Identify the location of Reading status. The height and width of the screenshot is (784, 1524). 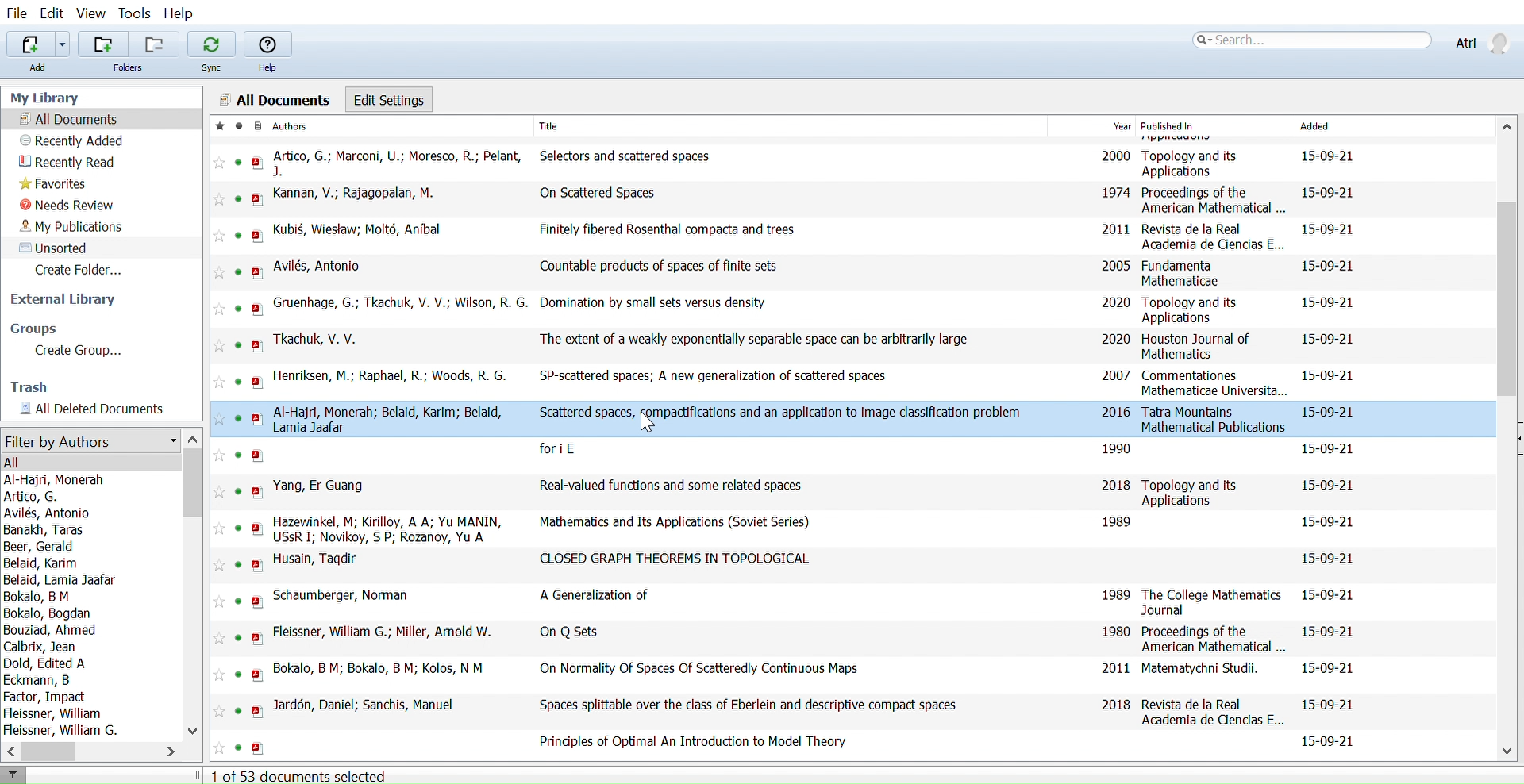
(237, 490).